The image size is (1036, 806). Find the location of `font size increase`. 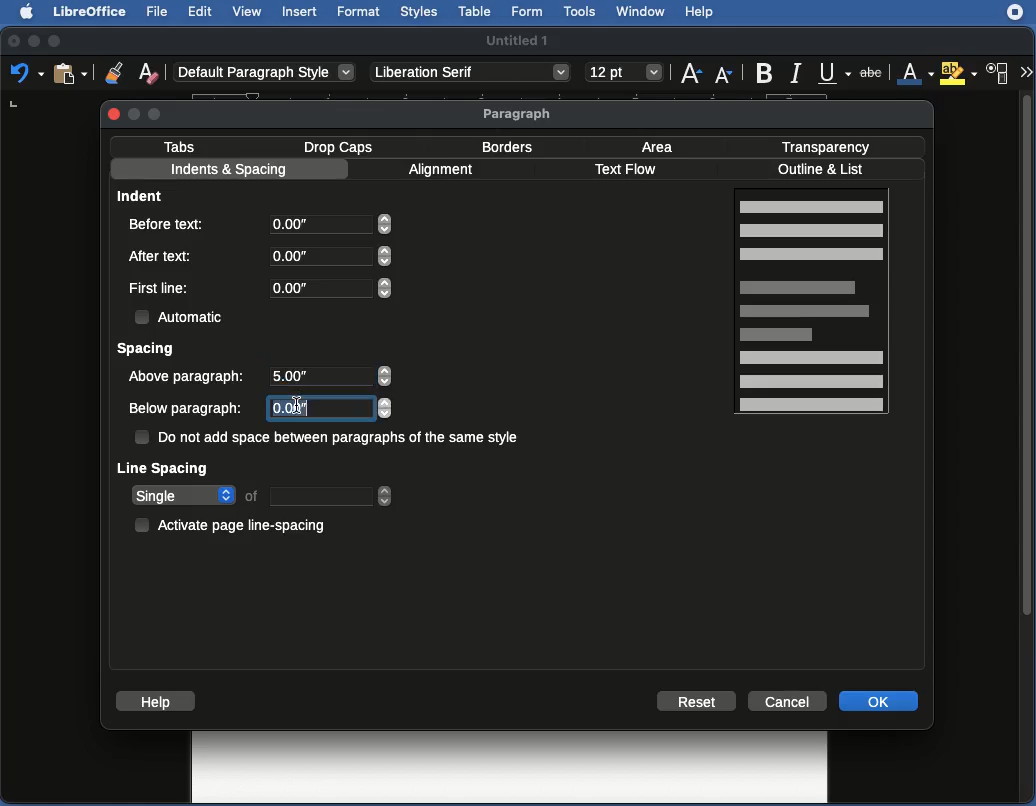

font size increase is located at coordinates (688, 77).